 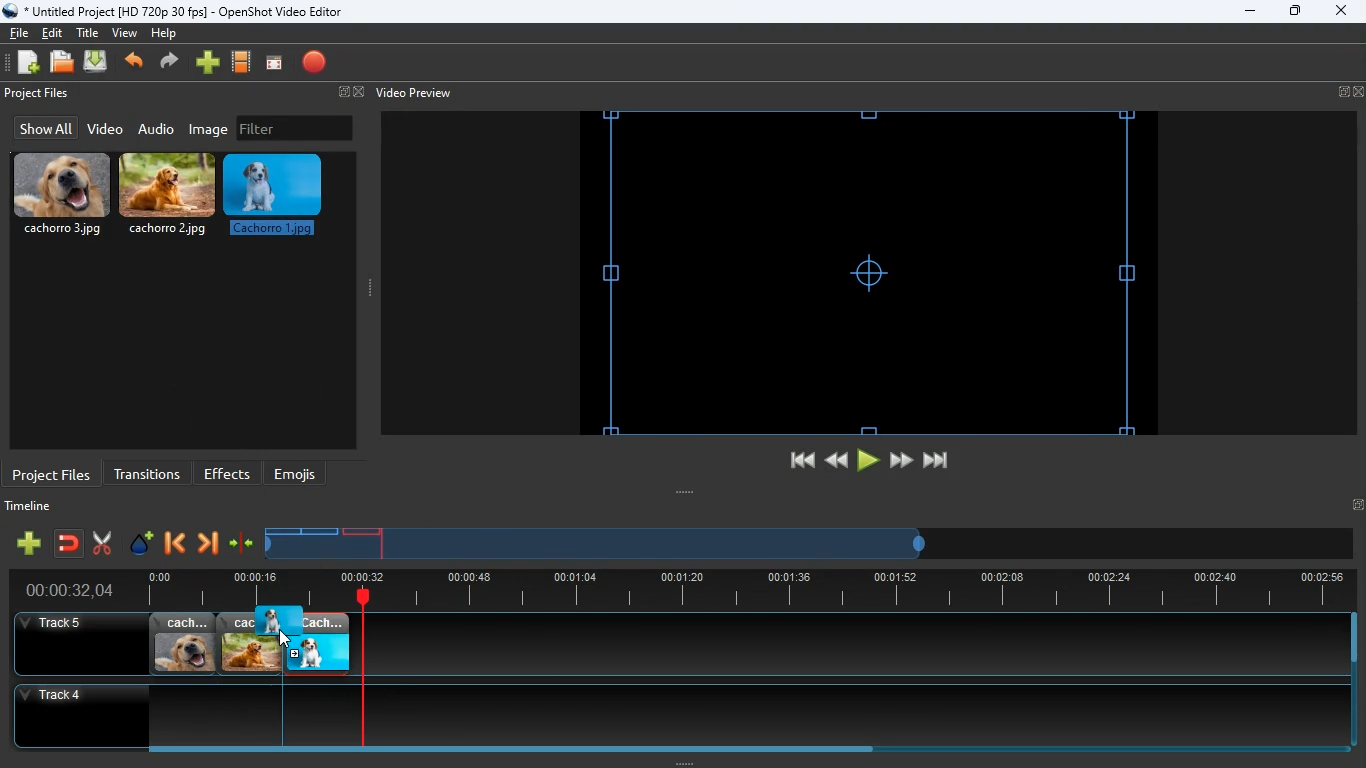 What do you see at coordinates (274, 64) in the screenshot?
I see `screen` at bounding box center [274, 64].